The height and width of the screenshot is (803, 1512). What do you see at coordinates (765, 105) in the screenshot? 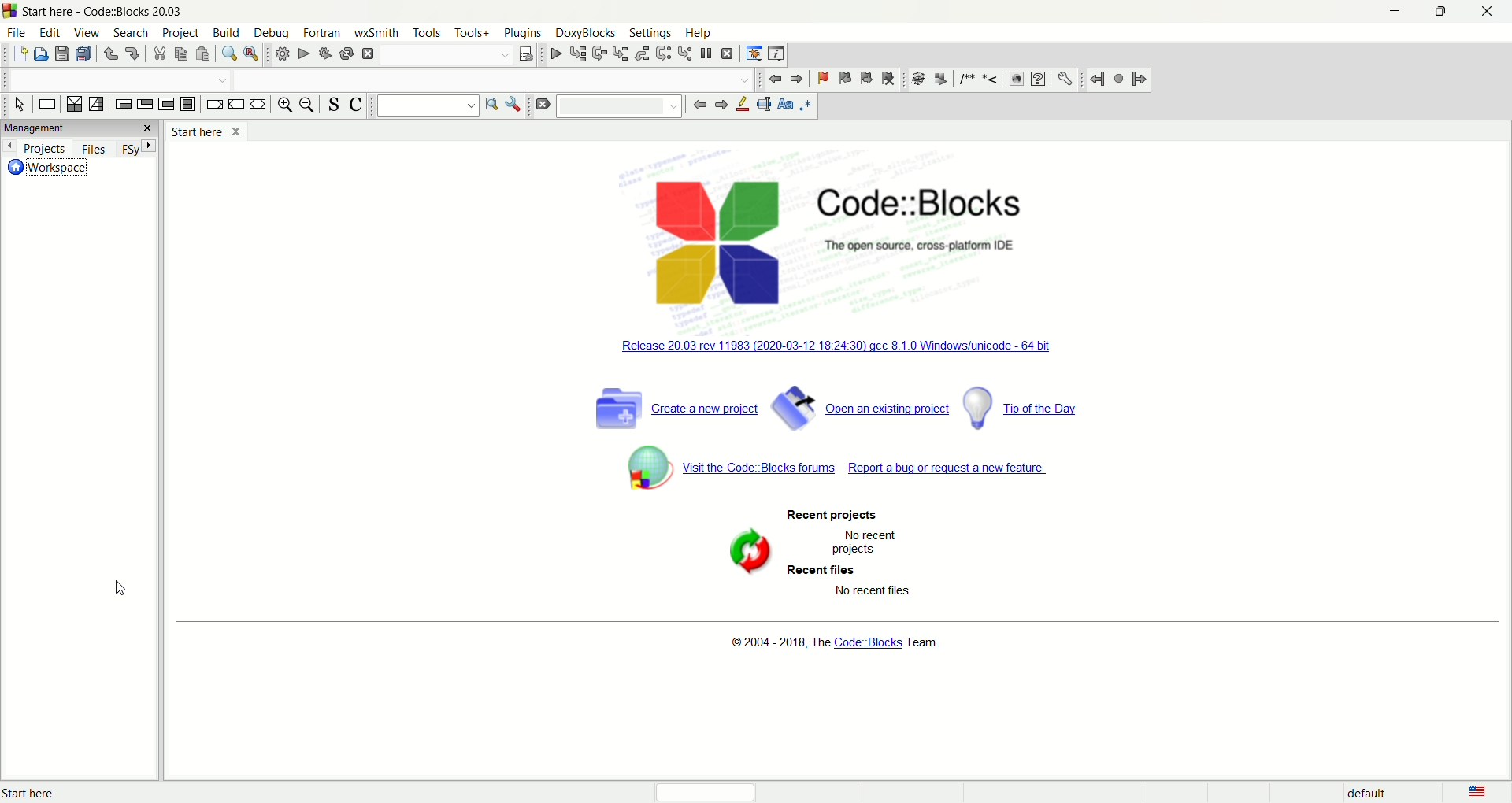
I see `selected text` at bounding box center [765, 105].